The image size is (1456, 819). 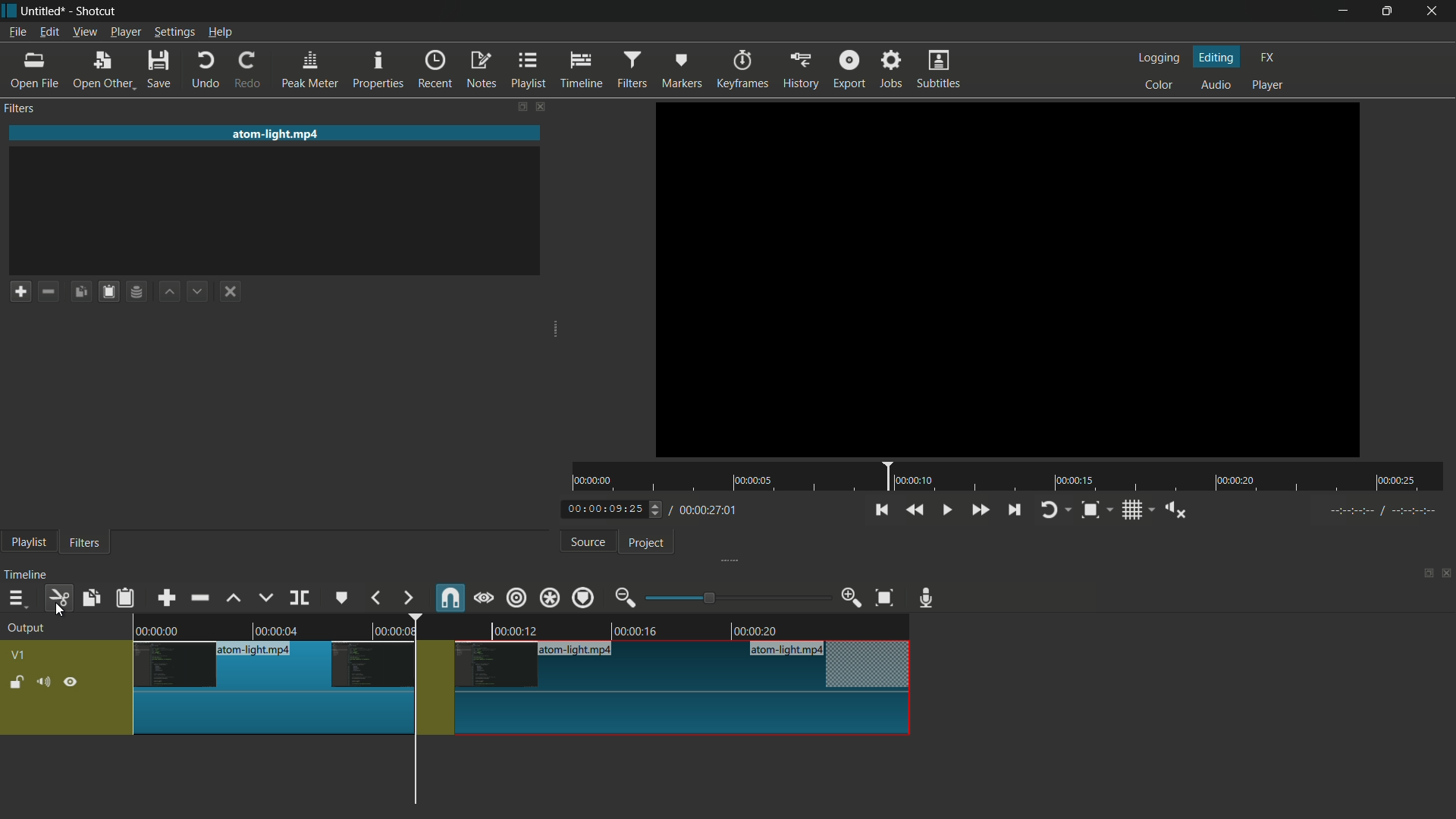 What do you see at coordinates (93, 598) in the screenshot?
I see `copy checked filters` at bounding box center [93, 598].